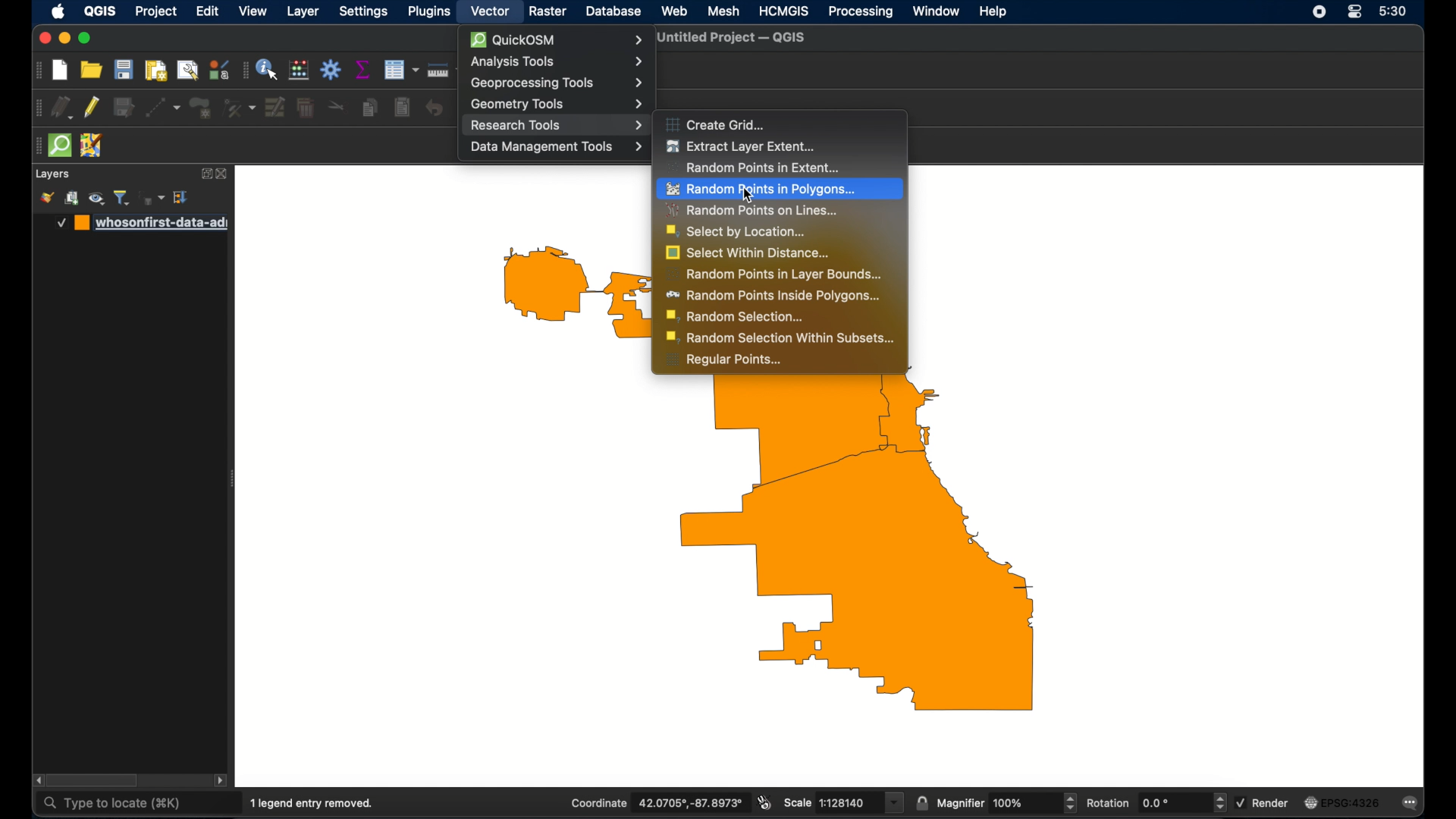 The height and width of the screenshot is (819, 1456). What do you see at coordinates (1006, 803) in the screenshot?
I see `magnifier` at bounding box center [1006, 803].